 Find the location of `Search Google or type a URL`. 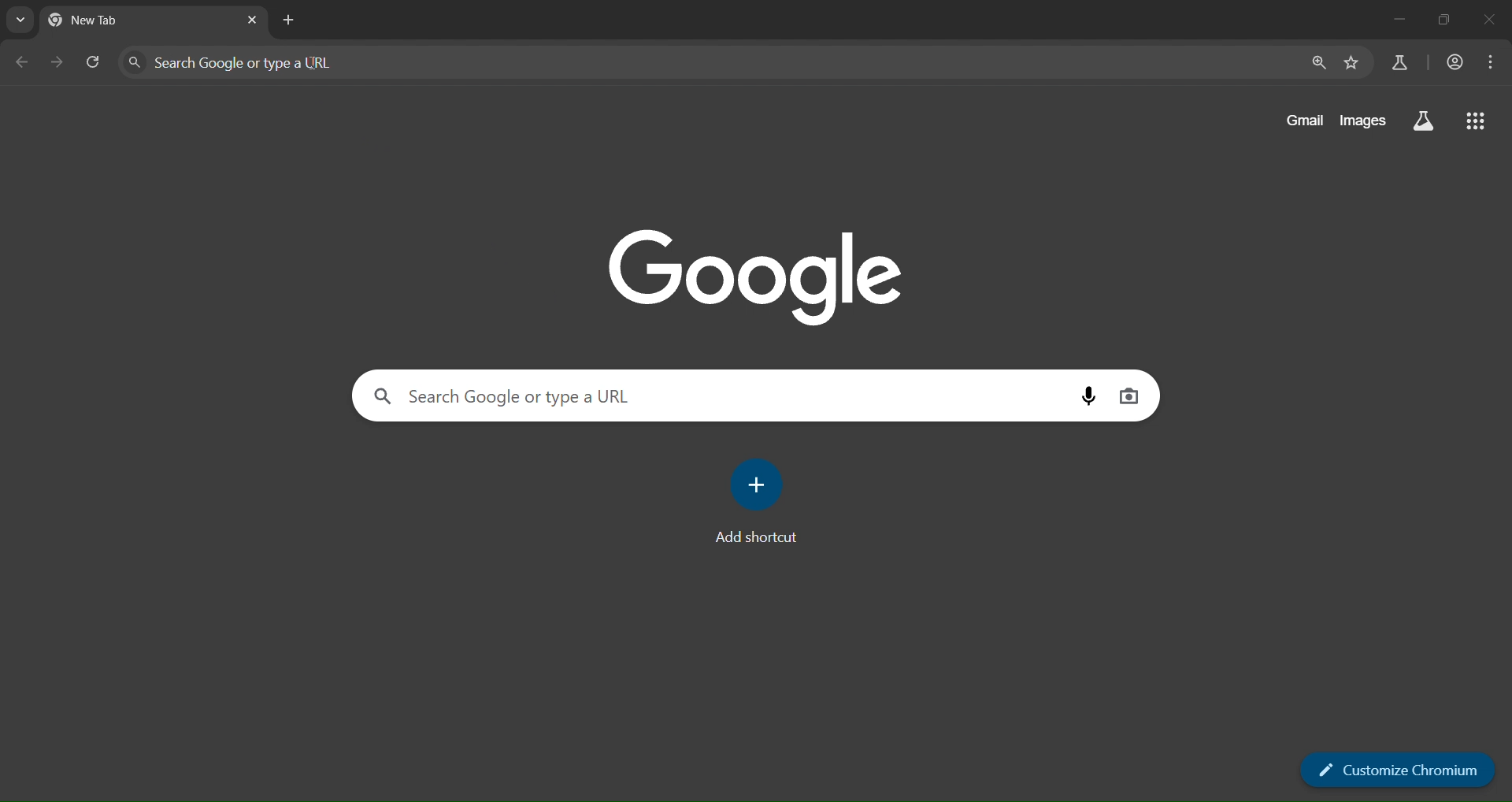

Search Google or type a URL is located at coordinates (709, 61).